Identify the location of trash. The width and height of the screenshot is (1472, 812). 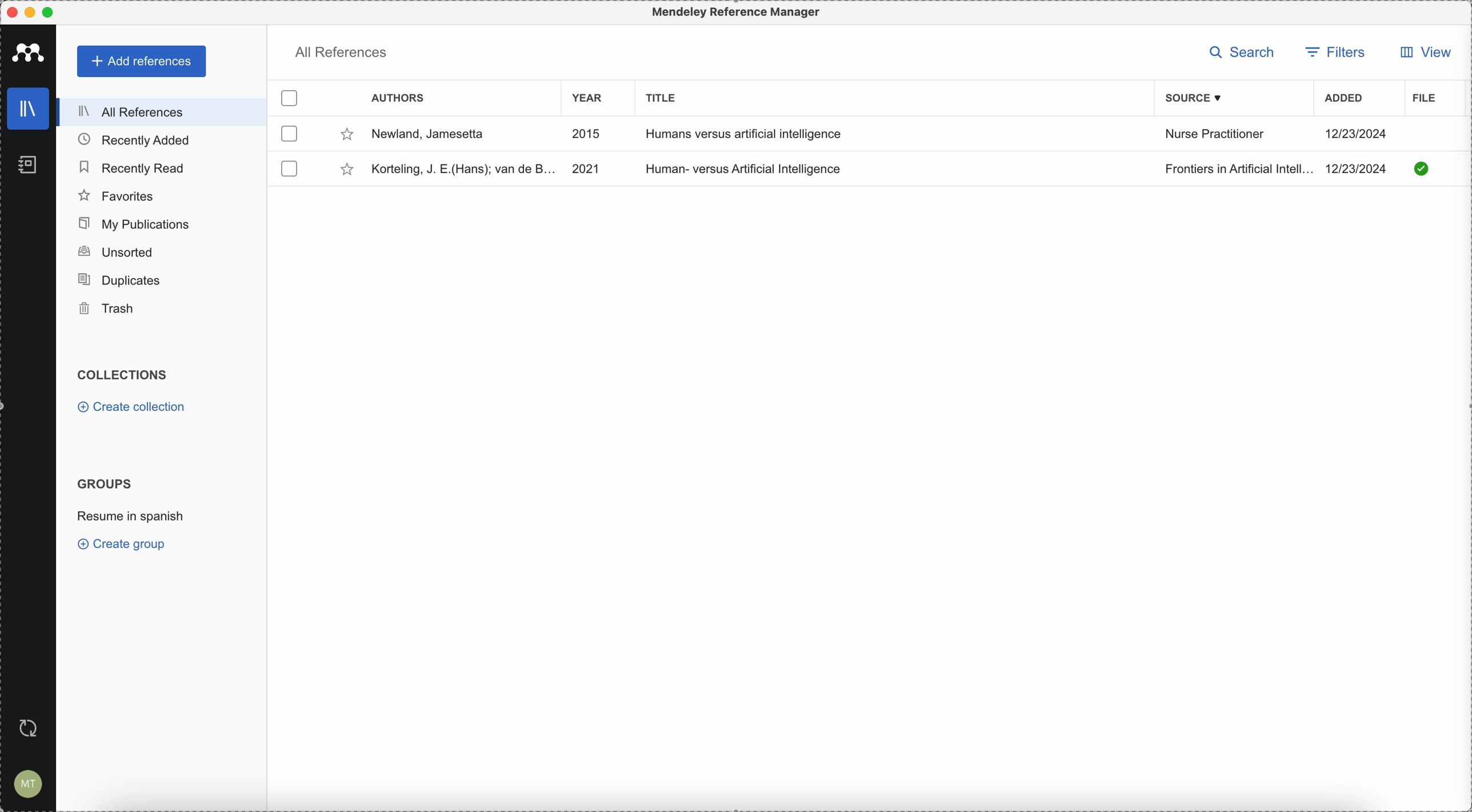
(110, 310).